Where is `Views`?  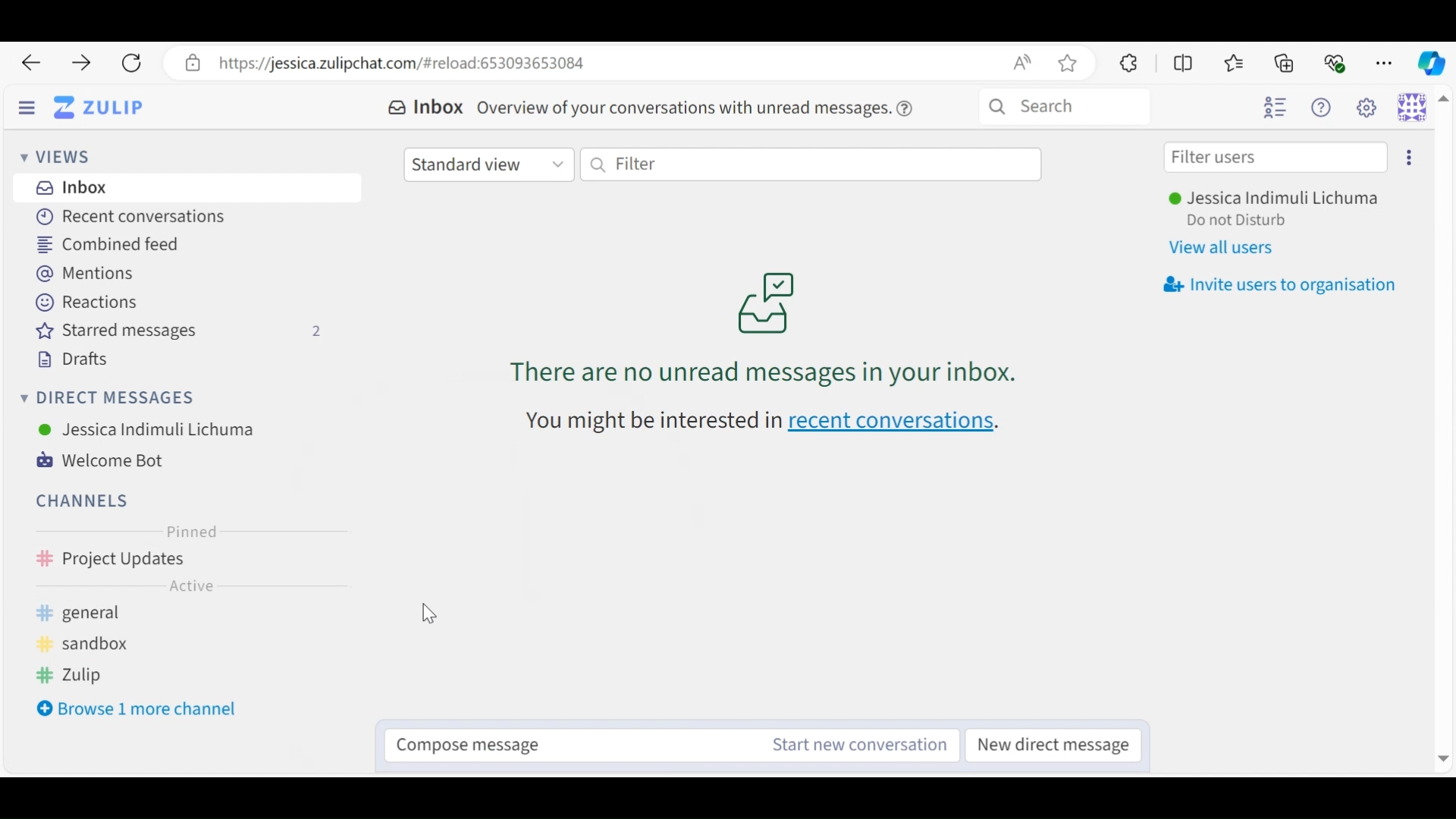
Views is located at coordinates (61, 158).